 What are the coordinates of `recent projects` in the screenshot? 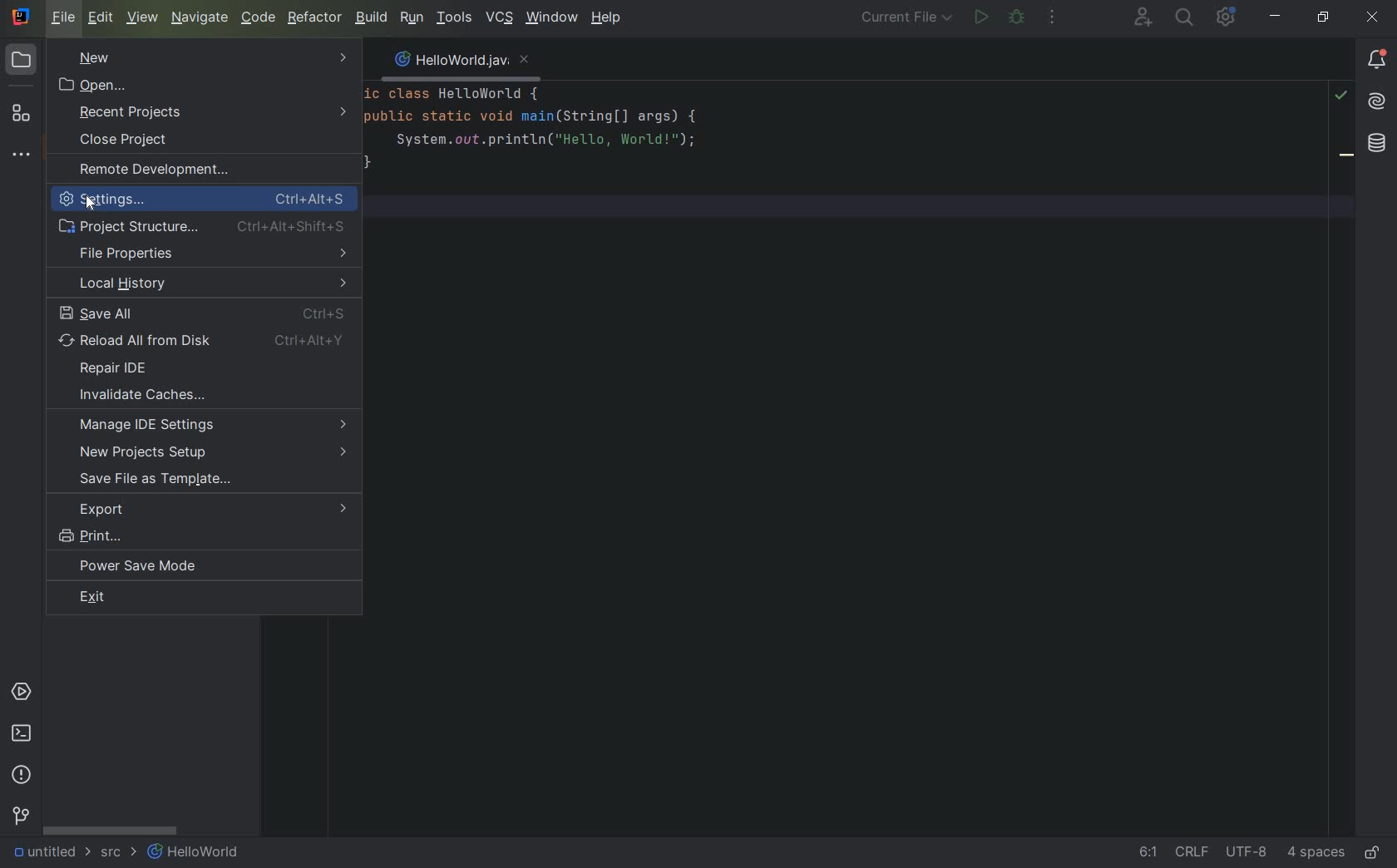 It's located at (212, 113).